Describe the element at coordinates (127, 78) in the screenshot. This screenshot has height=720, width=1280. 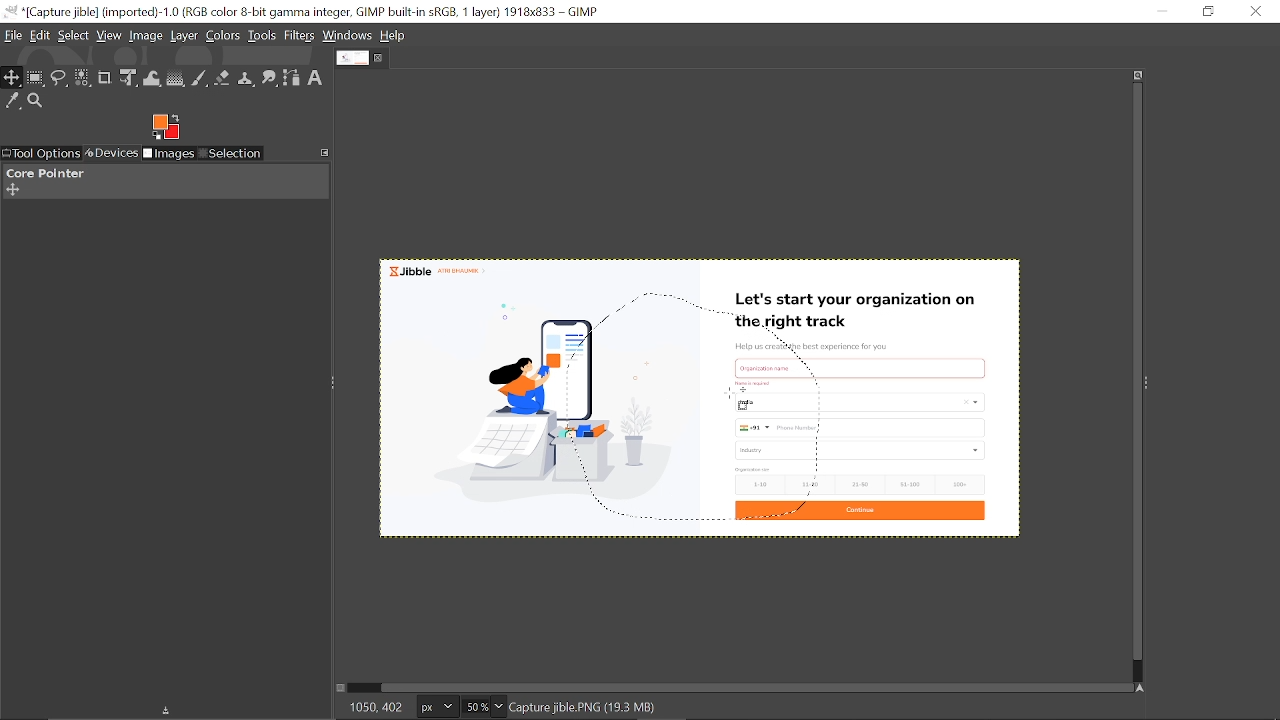
I see `Unified transform tool` at that location.